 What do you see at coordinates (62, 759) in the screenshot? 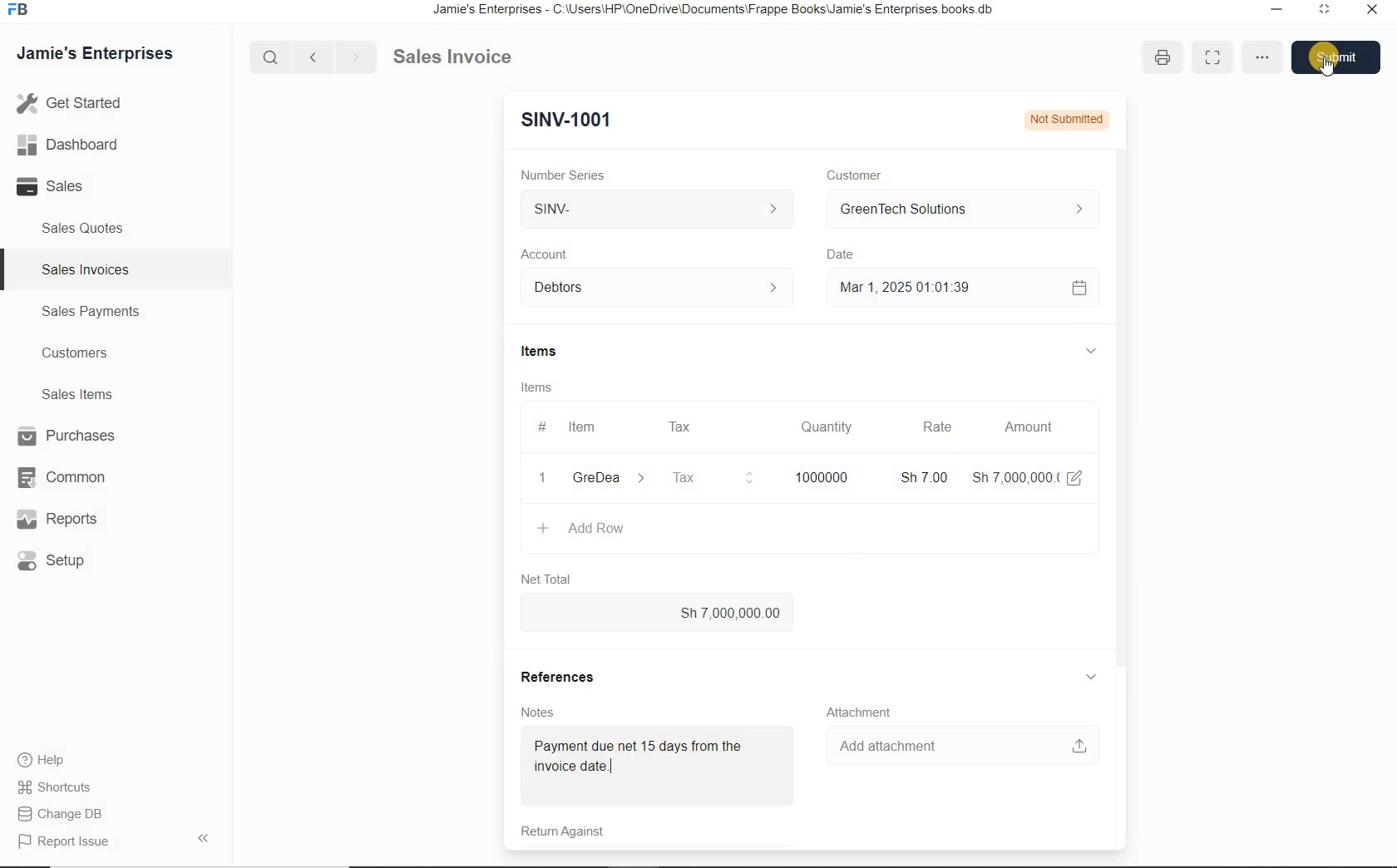
I see `) Help` at bounding box center [62, 759].